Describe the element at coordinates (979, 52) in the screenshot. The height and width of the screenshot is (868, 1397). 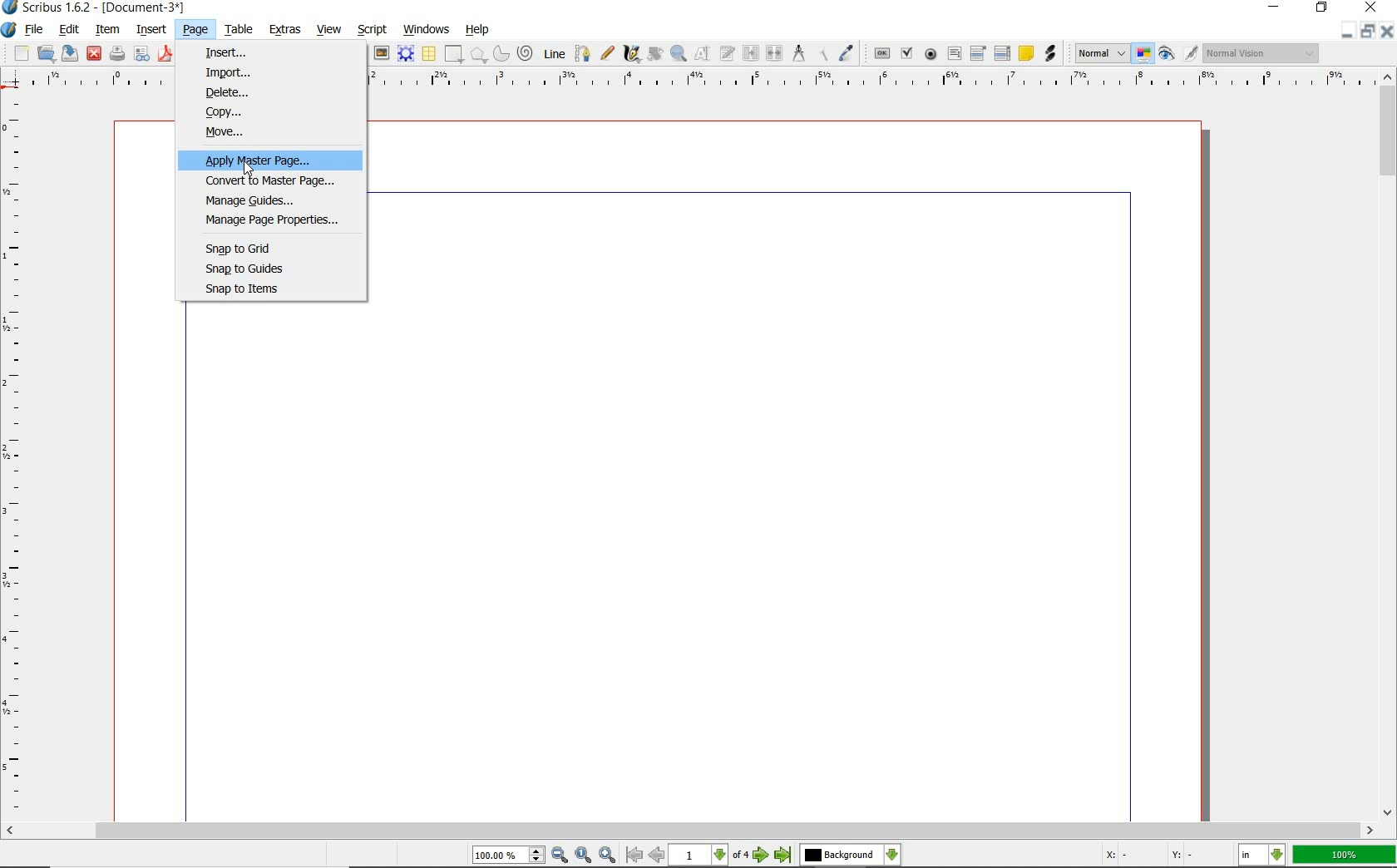
I see `pdf combo box` at that location.